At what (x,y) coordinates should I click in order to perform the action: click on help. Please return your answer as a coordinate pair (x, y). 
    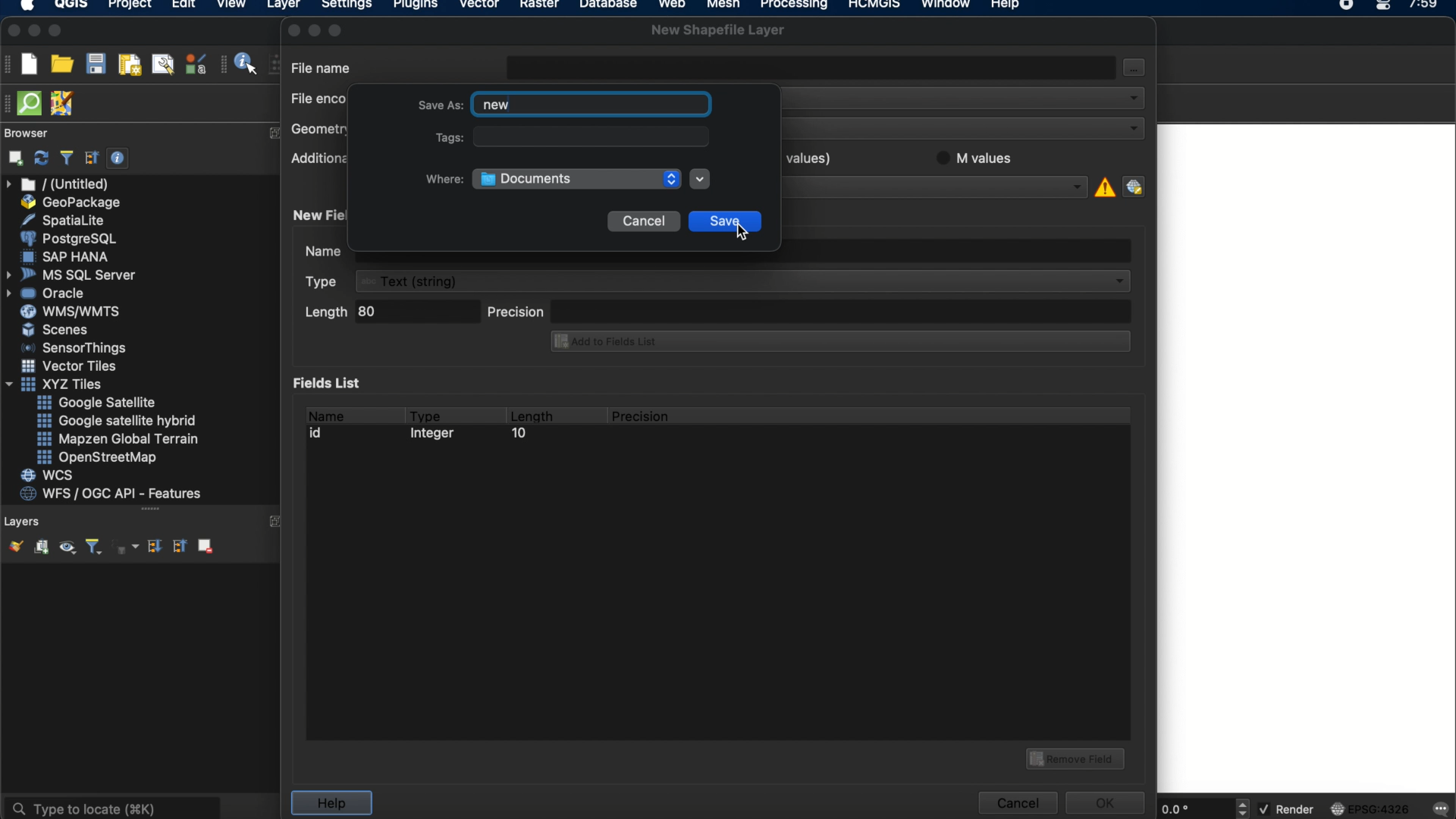
    Looking at the image, I should click on (331, 803).